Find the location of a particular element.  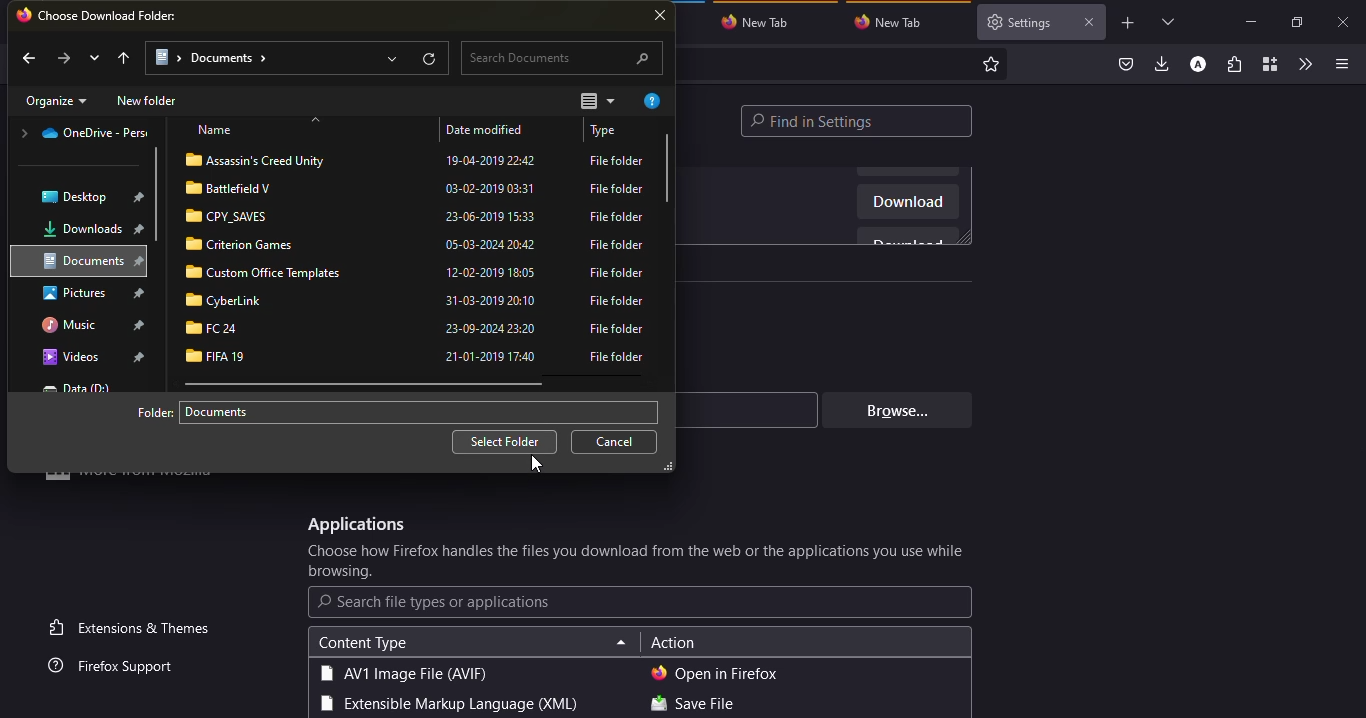

location is located at coordinates (83, 134).